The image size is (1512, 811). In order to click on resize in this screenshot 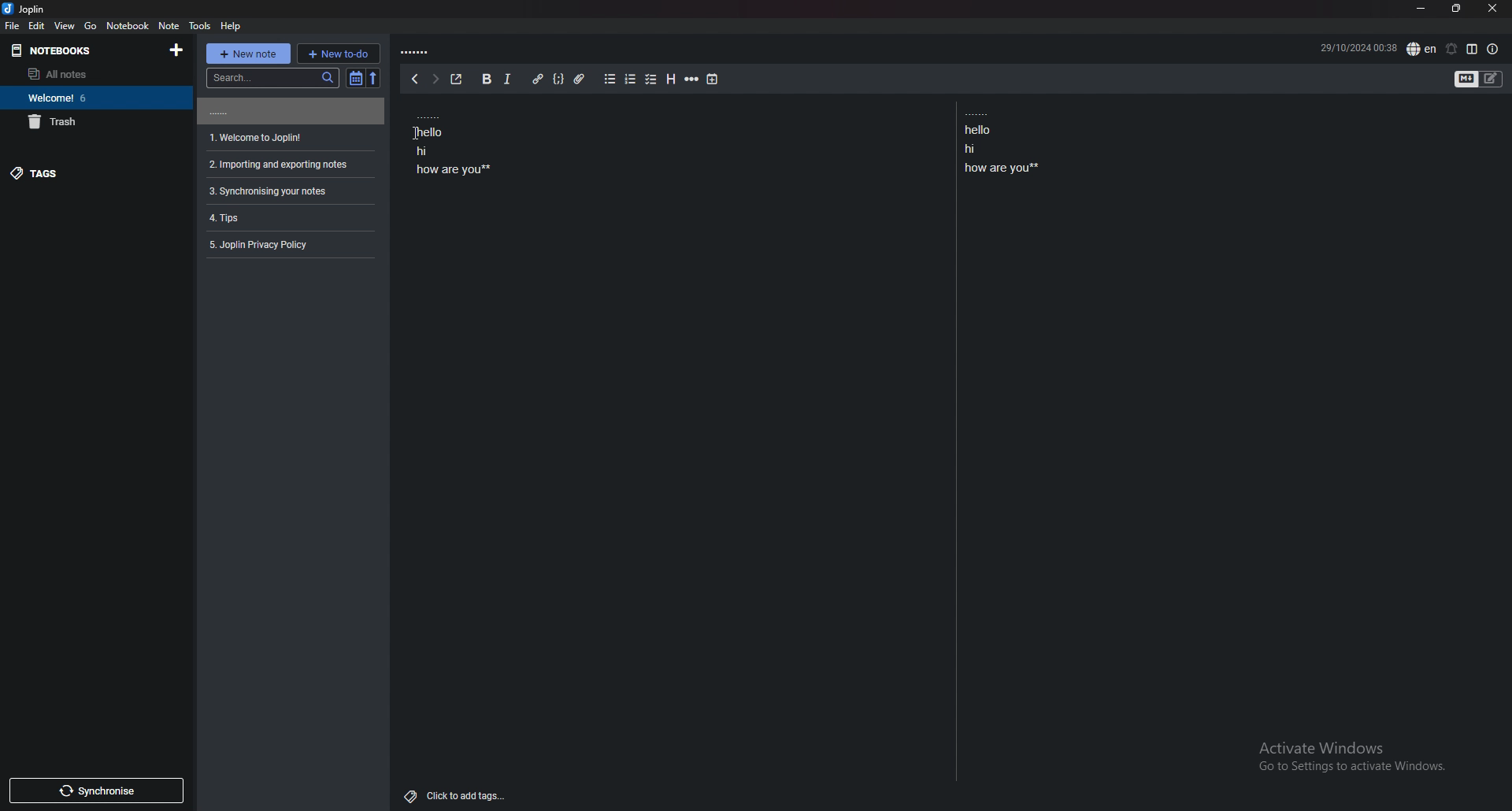, I will do `click(1457, 9)`.